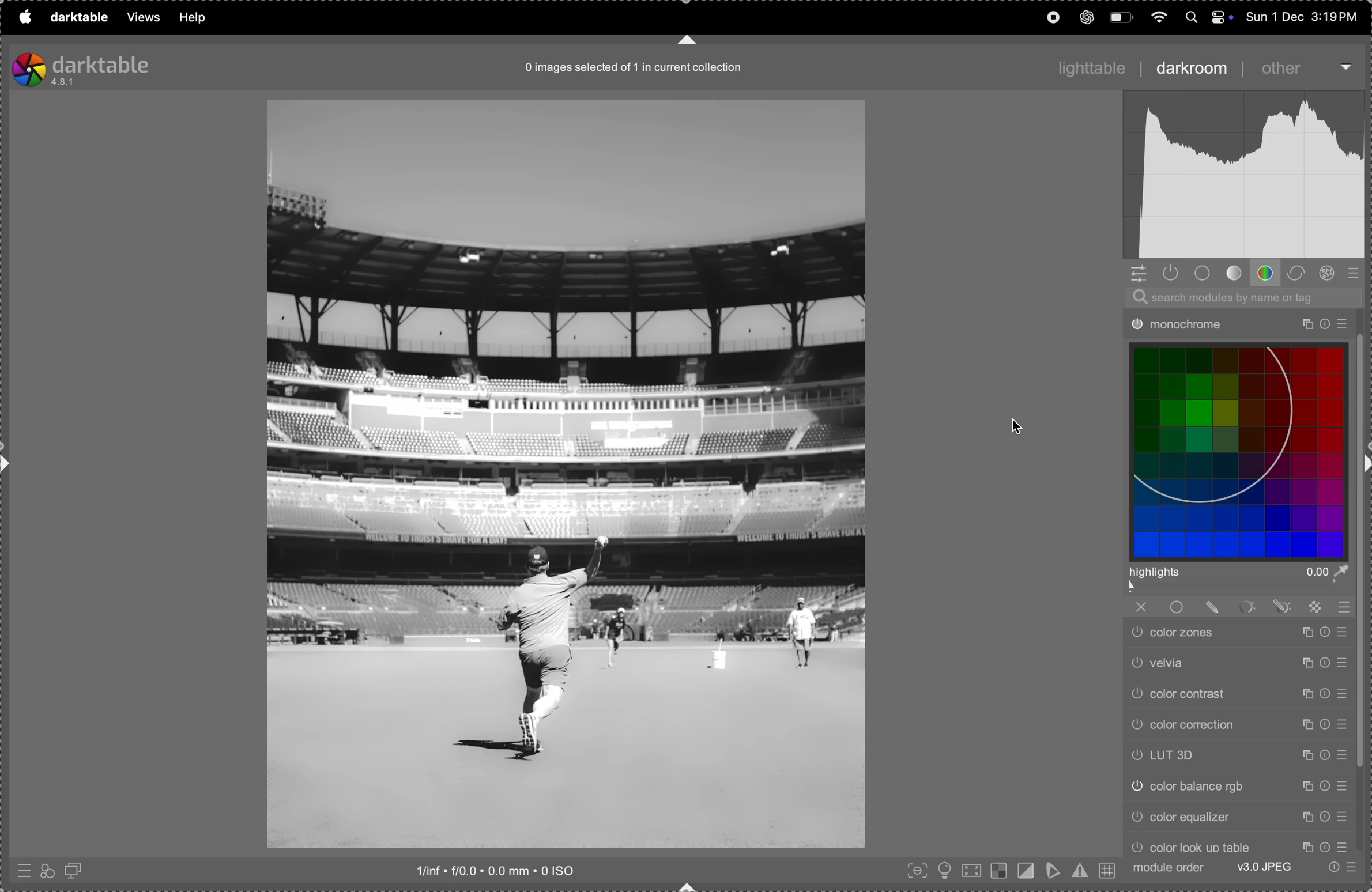  What do you see at coordinates (1207, 17) in the screenshot?
I see `apple widgets` at bounding box center [1207, 17].